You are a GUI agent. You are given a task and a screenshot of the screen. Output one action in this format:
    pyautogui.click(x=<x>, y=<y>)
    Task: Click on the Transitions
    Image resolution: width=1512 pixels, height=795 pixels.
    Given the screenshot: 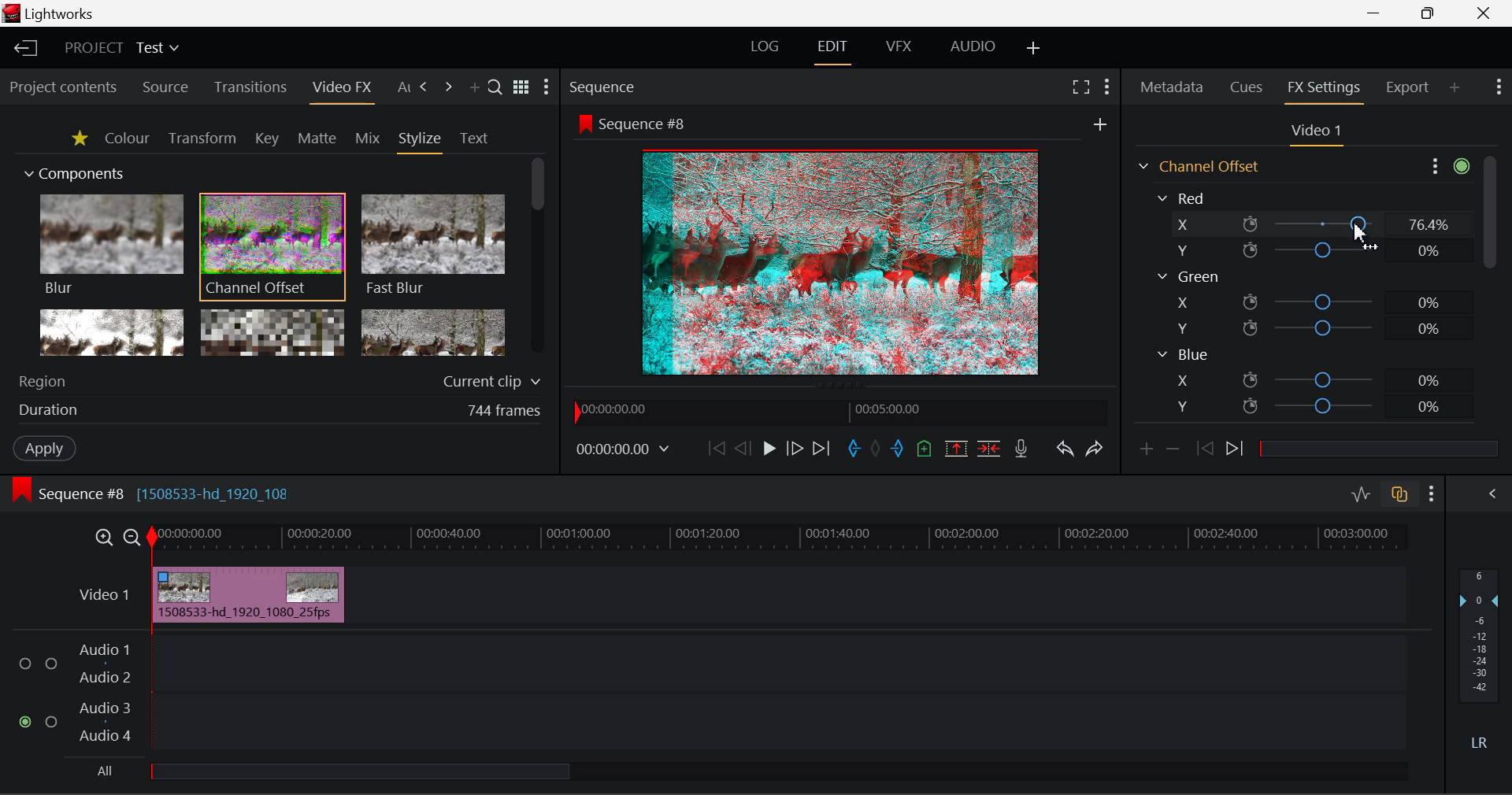 What is the action you would take?
    pyautogui.click(x=249, y=87)
    